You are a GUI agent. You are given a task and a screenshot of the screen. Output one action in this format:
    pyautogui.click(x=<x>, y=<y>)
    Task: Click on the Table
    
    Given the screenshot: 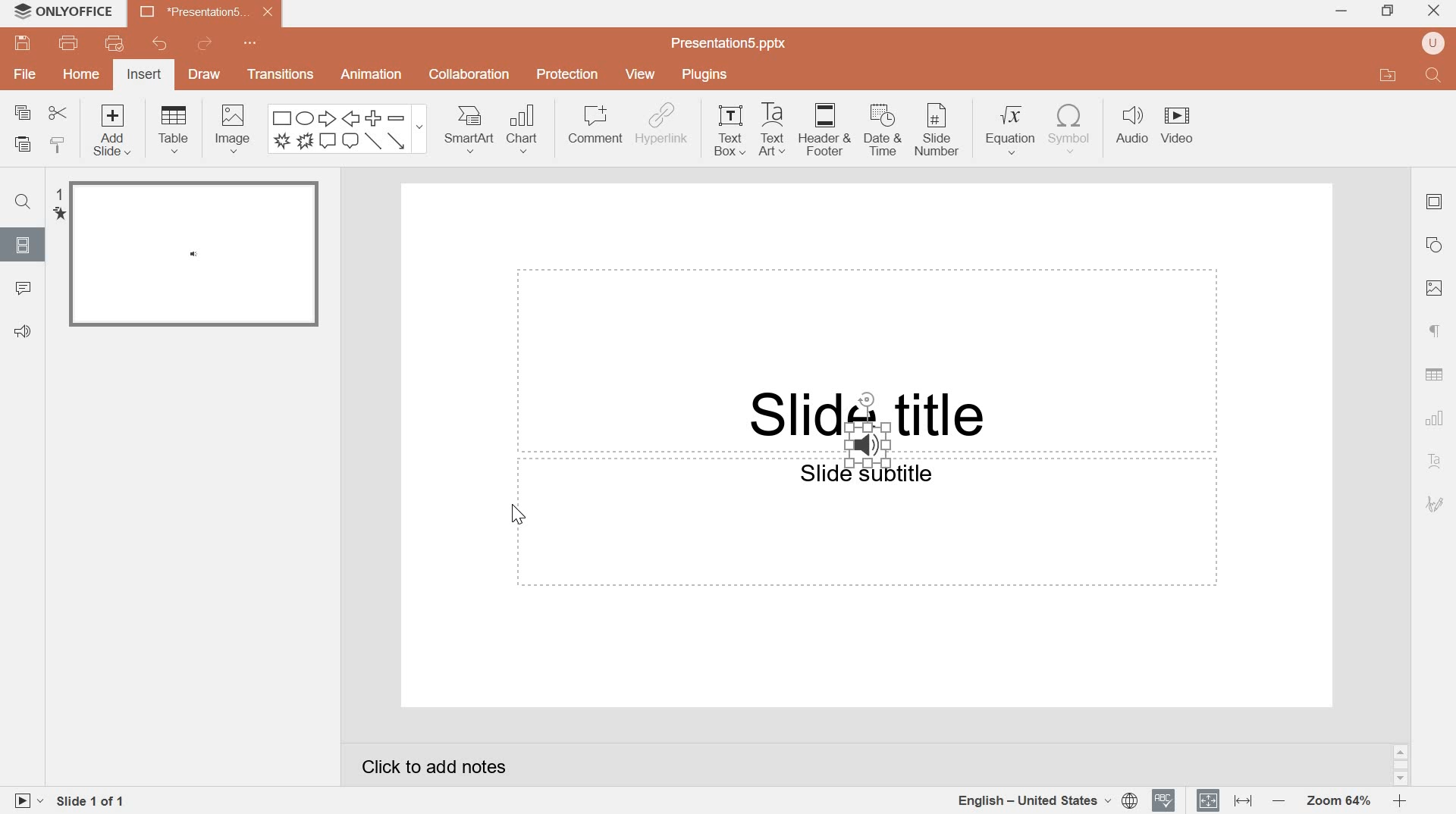 What is the action you would take?
    pyautogui.click(x=174, y=128)
    